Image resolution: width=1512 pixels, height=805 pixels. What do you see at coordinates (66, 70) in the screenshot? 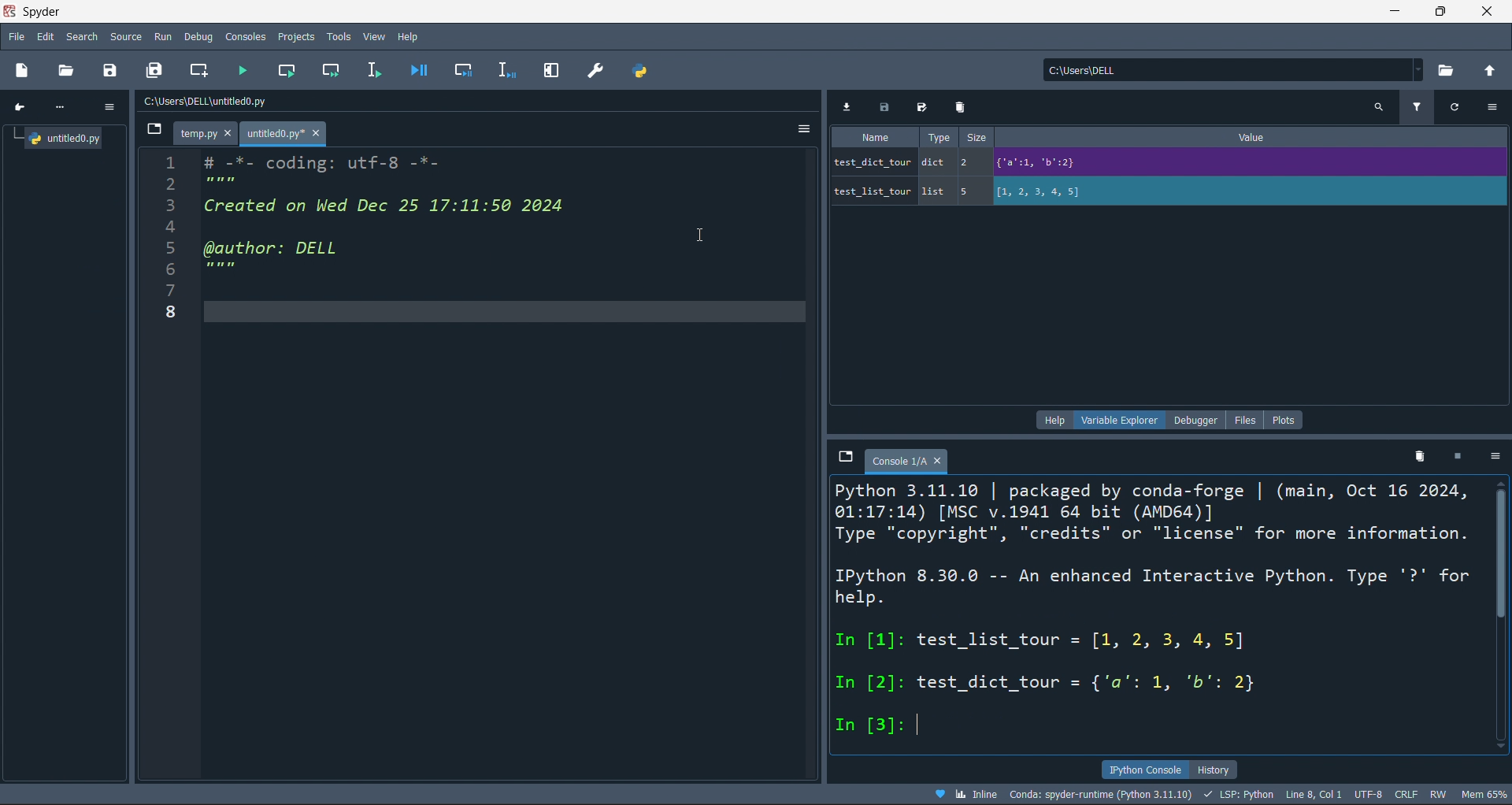
I see `open file` at bounding box center [66, 70].